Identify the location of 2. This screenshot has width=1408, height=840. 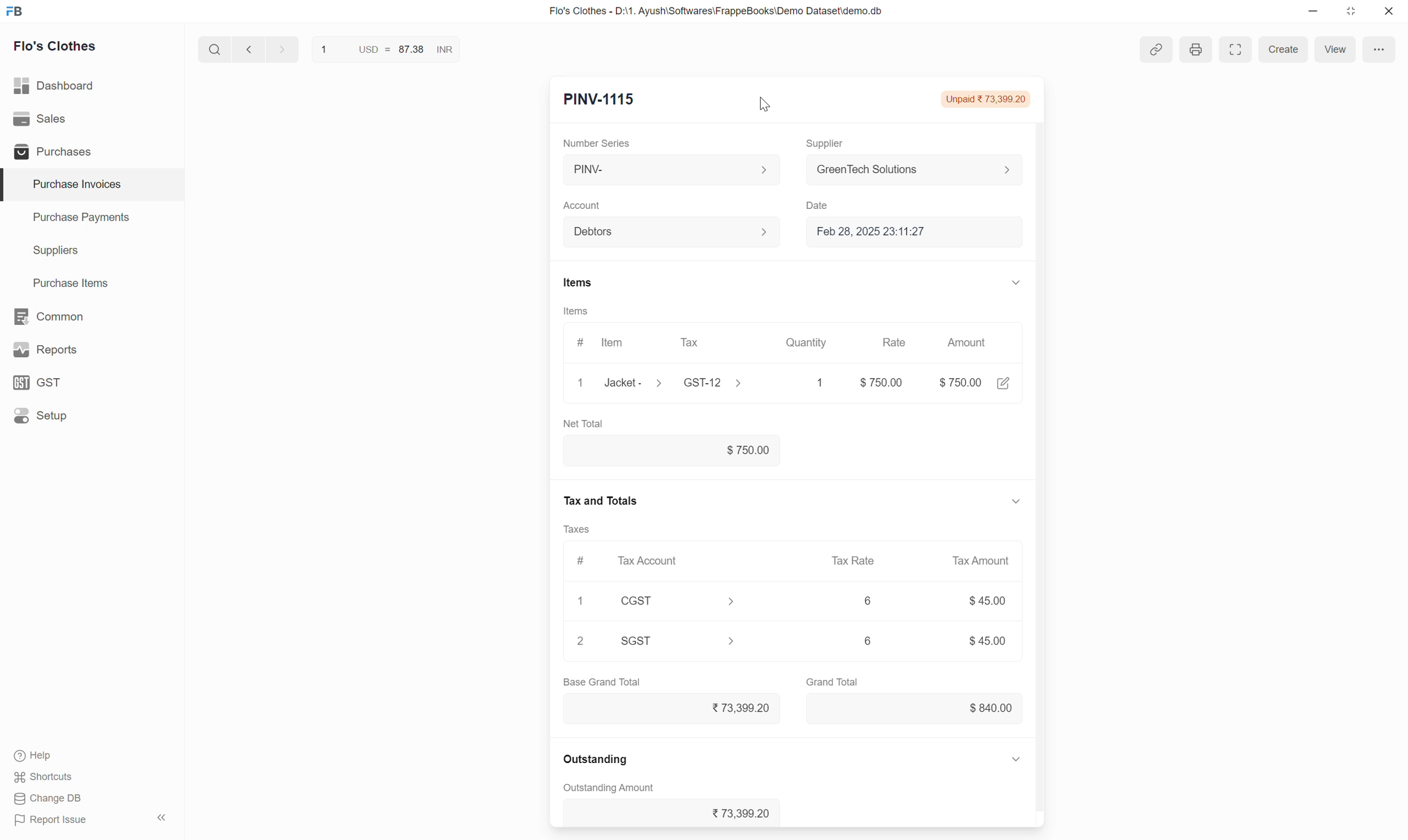
(581, 641).